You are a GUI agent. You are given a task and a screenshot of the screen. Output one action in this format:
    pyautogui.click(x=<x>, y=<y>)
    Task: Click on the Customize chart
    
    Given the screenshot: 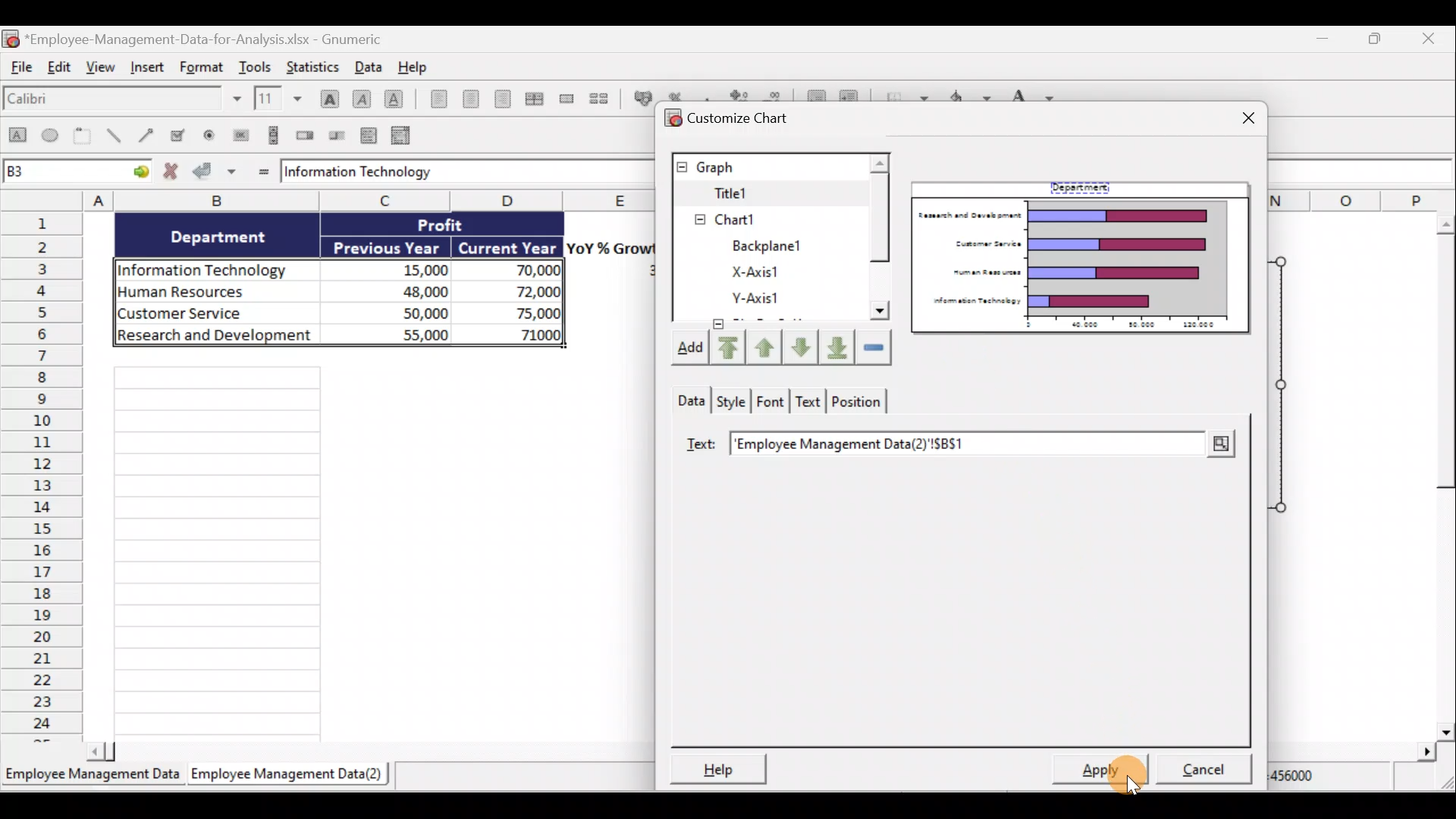 What is the action you would take?
    pyautogui.click(x=740, y=118)
    